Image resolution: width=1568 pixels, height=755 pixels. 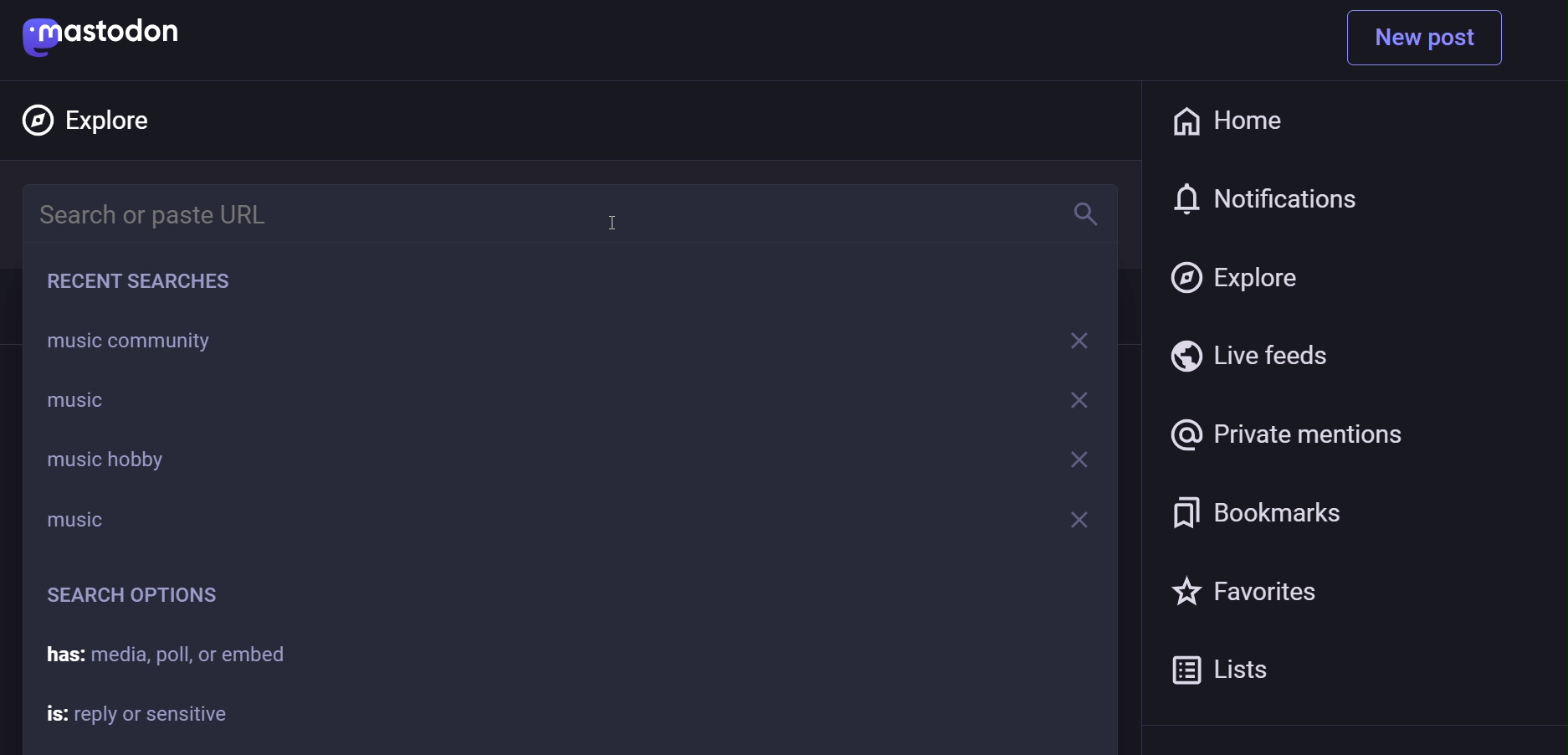 What do you see at coordinates (133, 591) in the screenshot?
I see `search option` at bounding box center [133, 591].